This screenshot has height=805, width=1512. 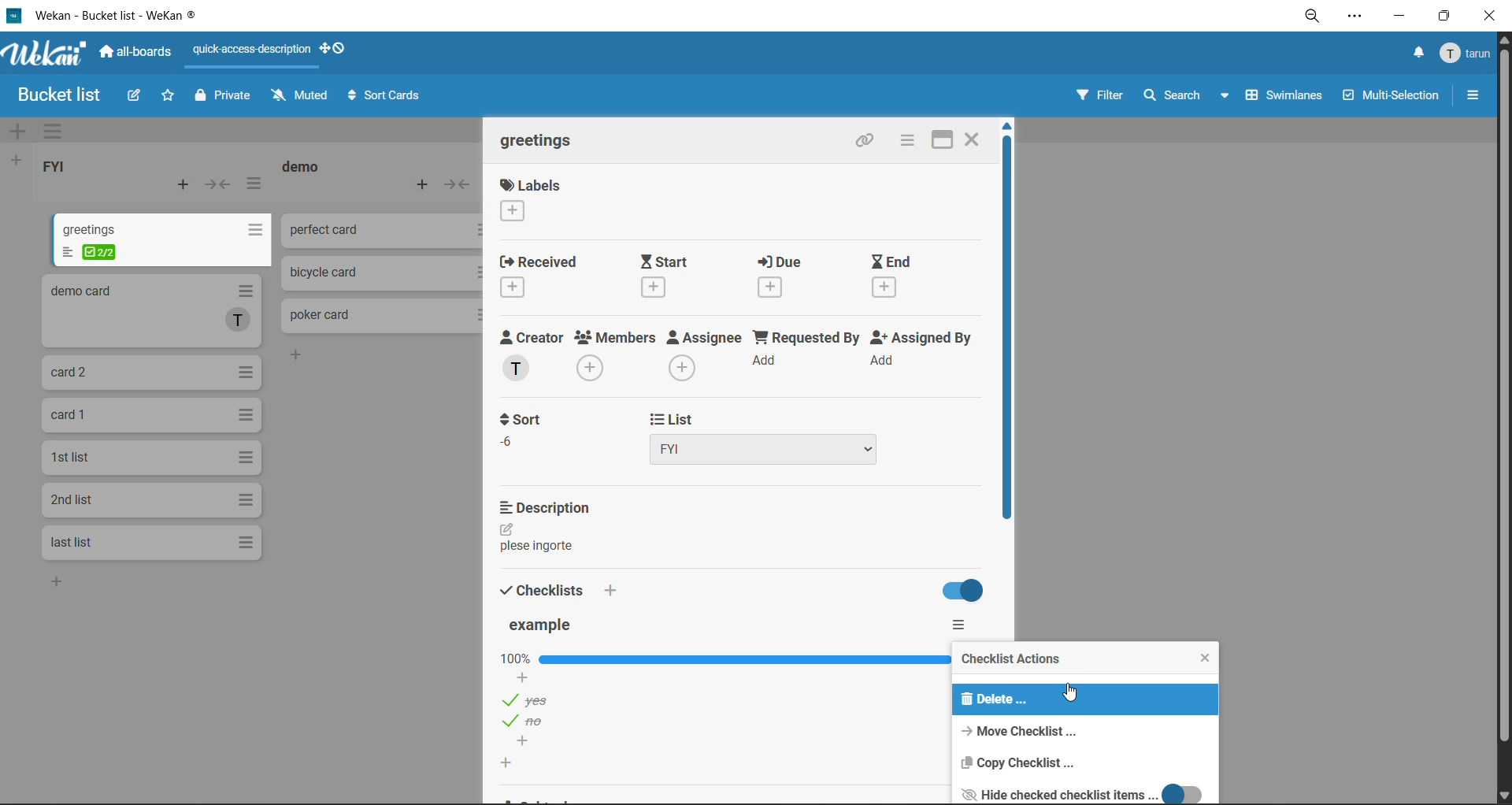 I want to click on add card, so click(x=428, y=185).